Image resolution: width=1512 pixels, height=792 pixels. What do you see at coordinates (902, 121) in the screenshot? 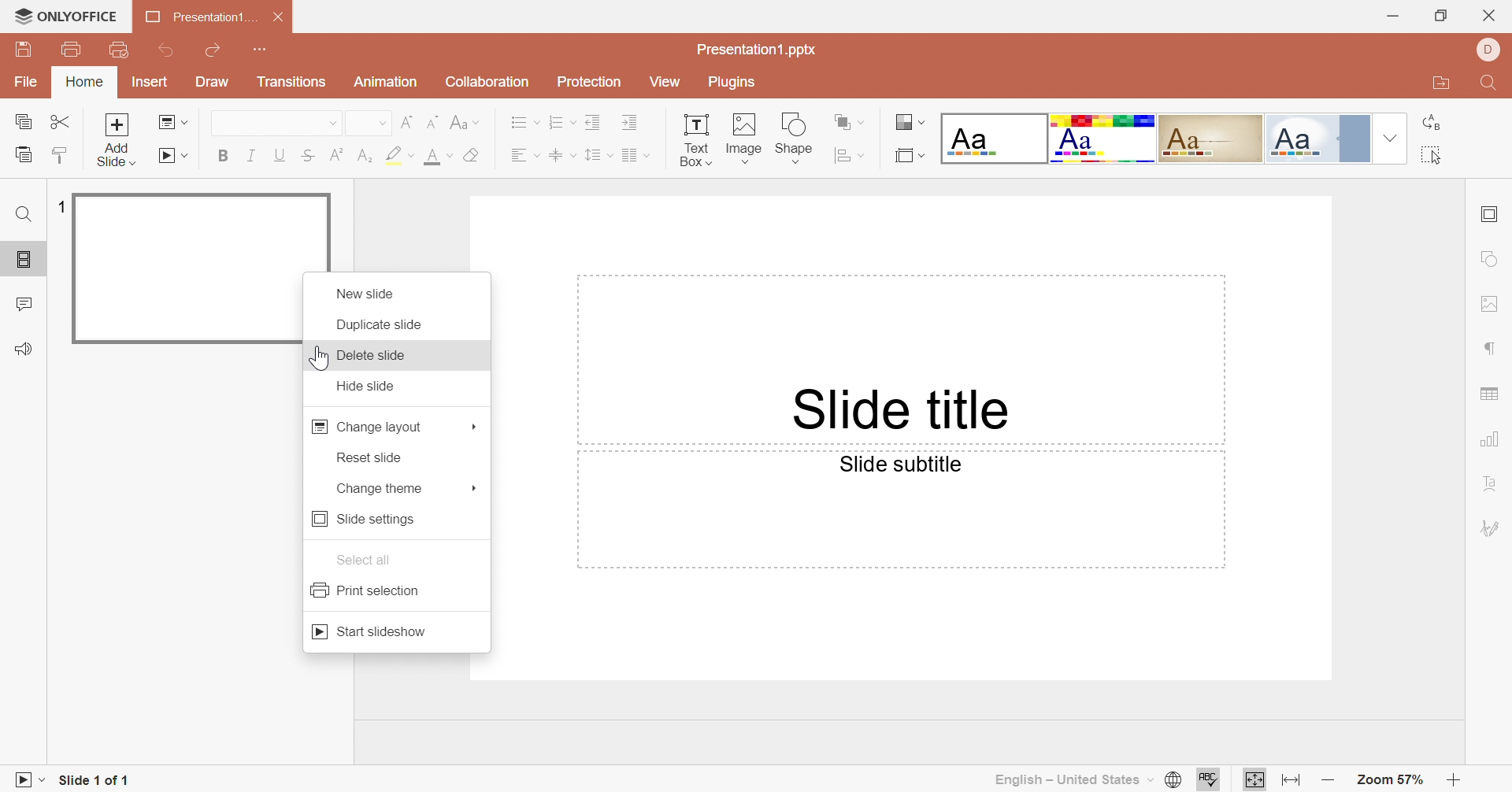
I see `Change color theme` at bounding box center [902, 121].